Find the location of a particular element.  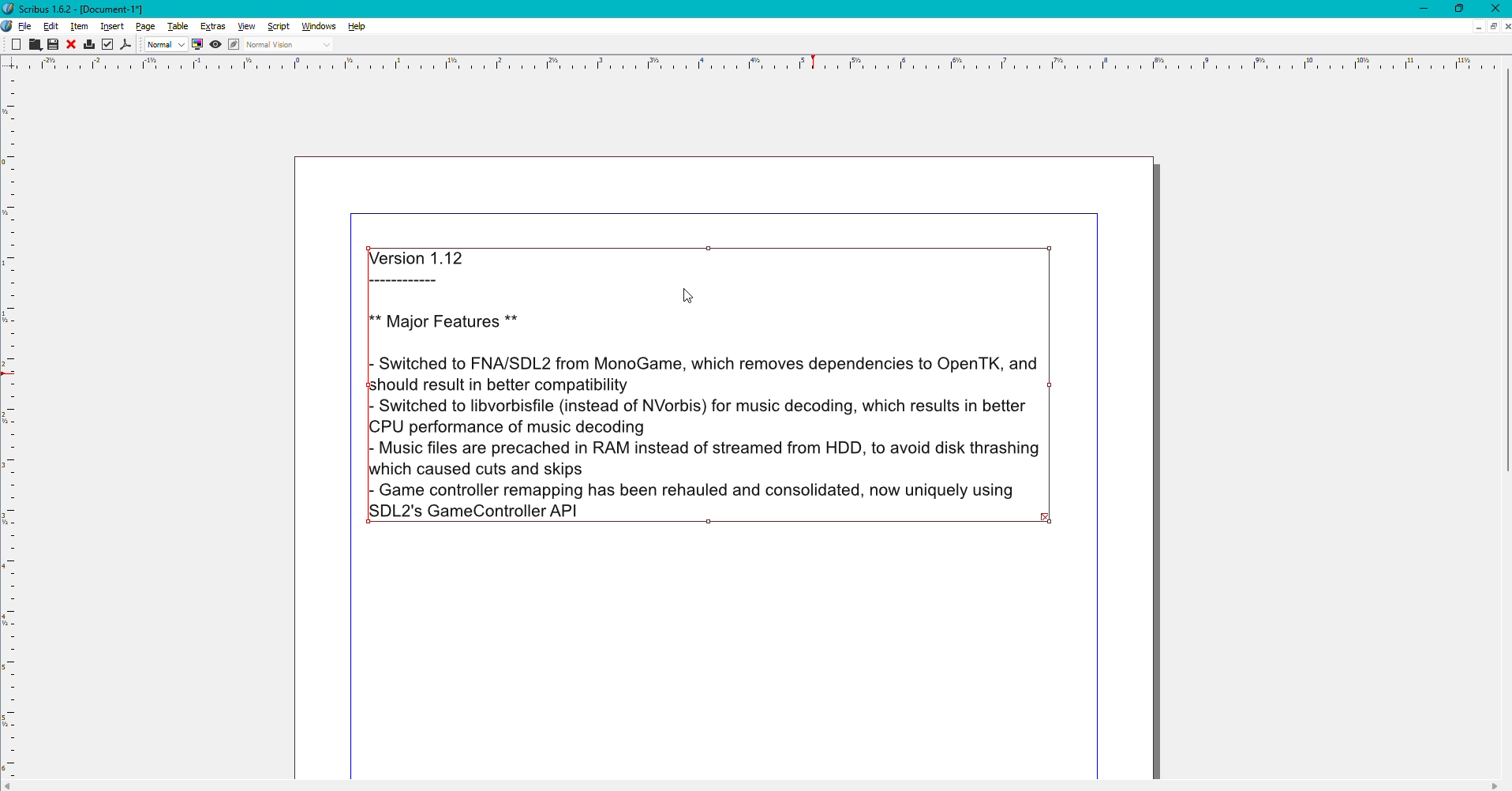

Restore is located at coordinates (1457, 9).